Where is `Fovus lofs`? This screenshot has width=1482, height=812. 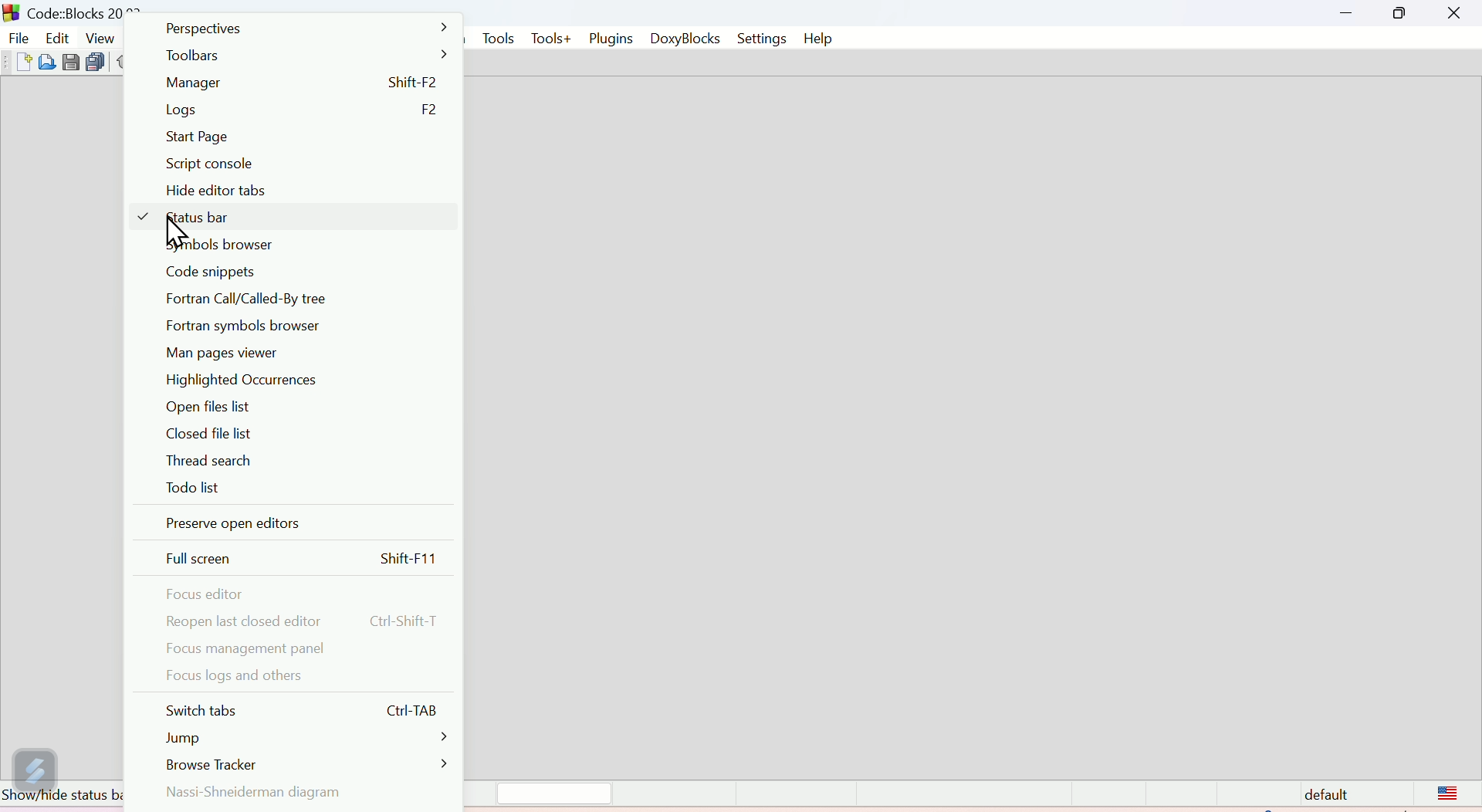 Fovus lofs is located at coordinates (253, 676).